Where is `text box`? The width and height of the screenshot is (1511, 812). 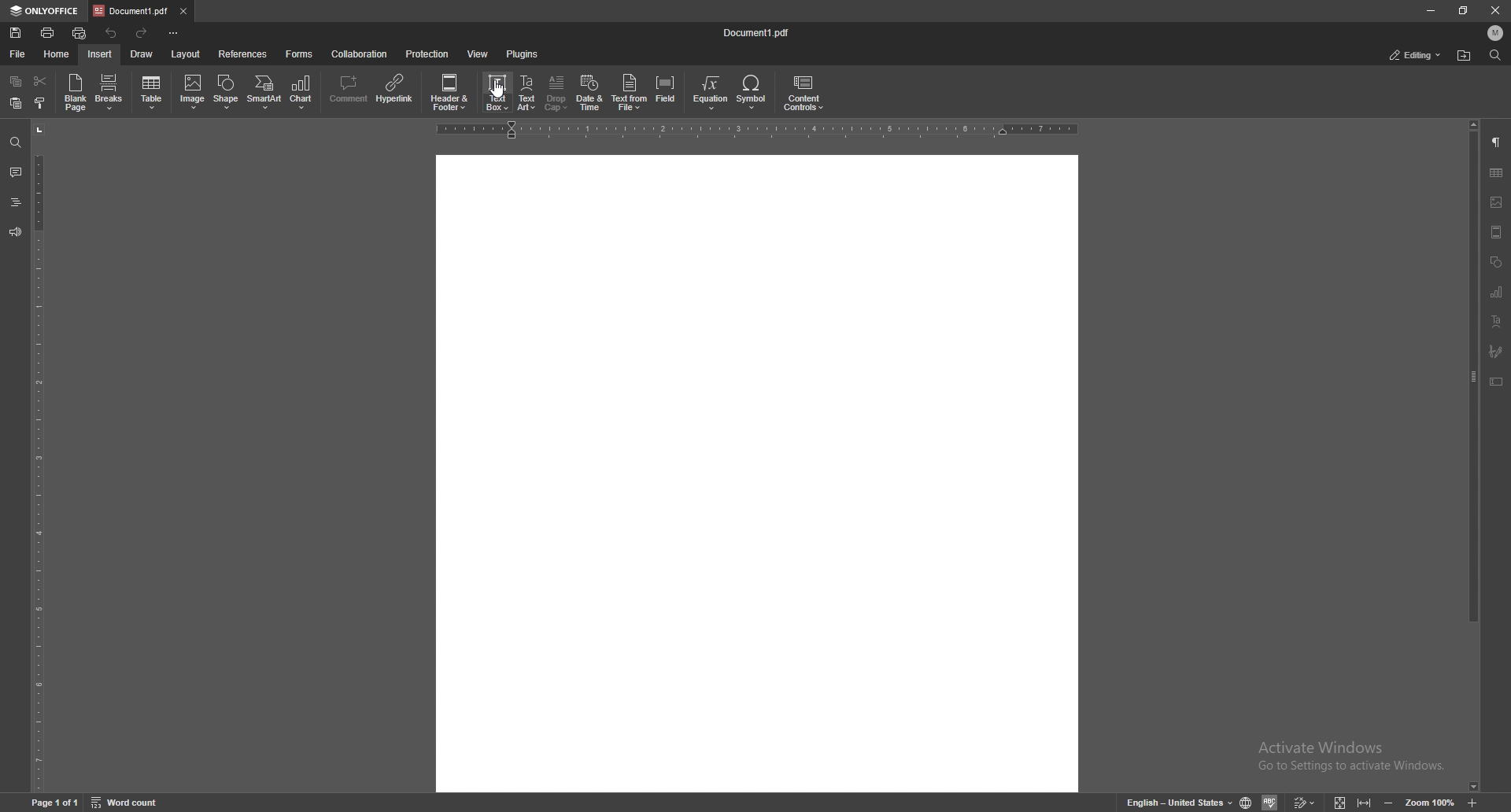 text box is located at coordinates (498, 91).